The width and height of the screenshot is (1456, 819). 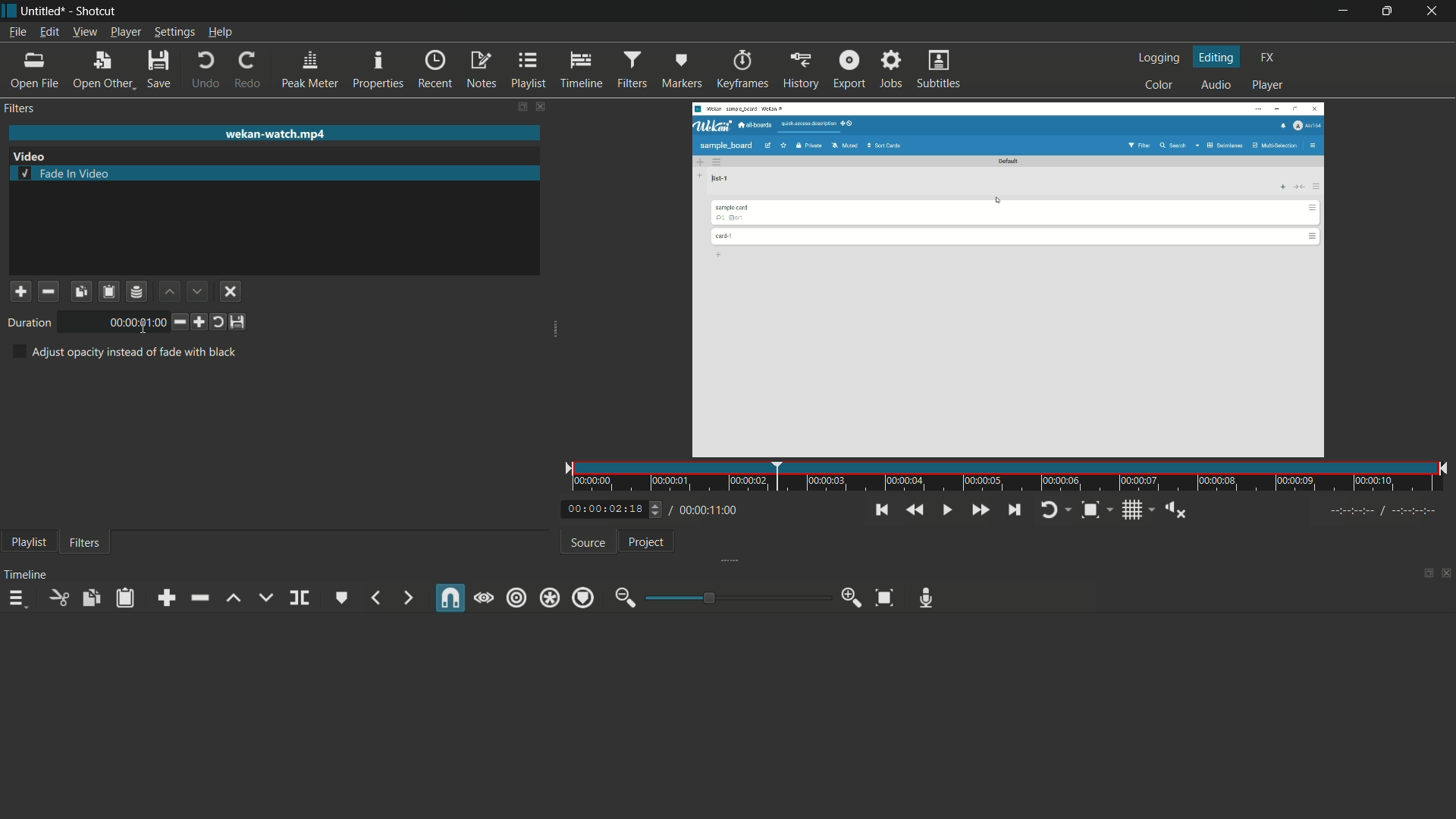 What do you see at coordinates (626, 598) in the screenshot?
I see `zoom out` at bounding box center [626, 598].